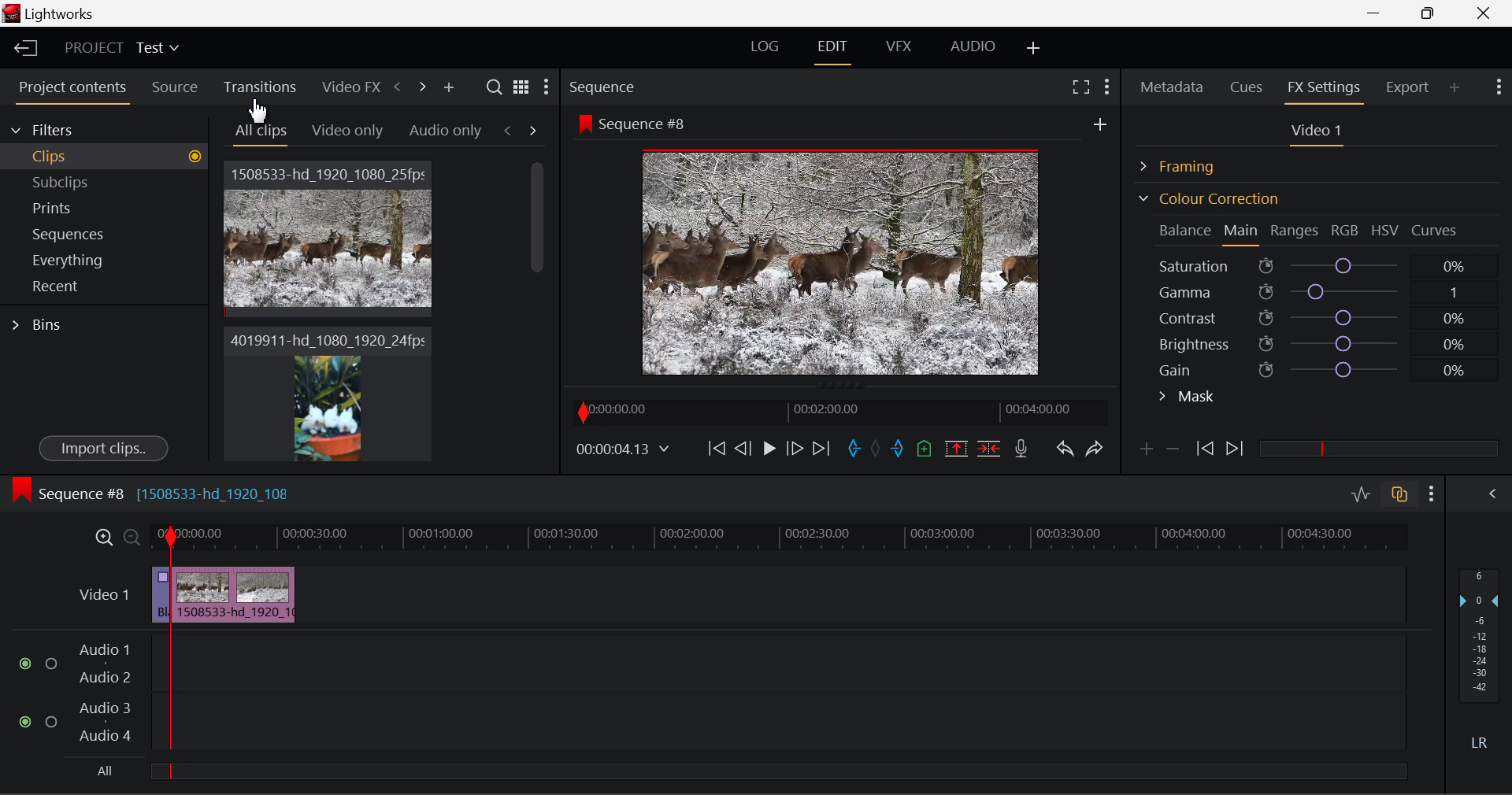 The height and width of the screenshot is (795, 1512). What do you see at coordinates (1064, 452) in the screenshot?
I see `Undo` at bounding box center [1064, 452].